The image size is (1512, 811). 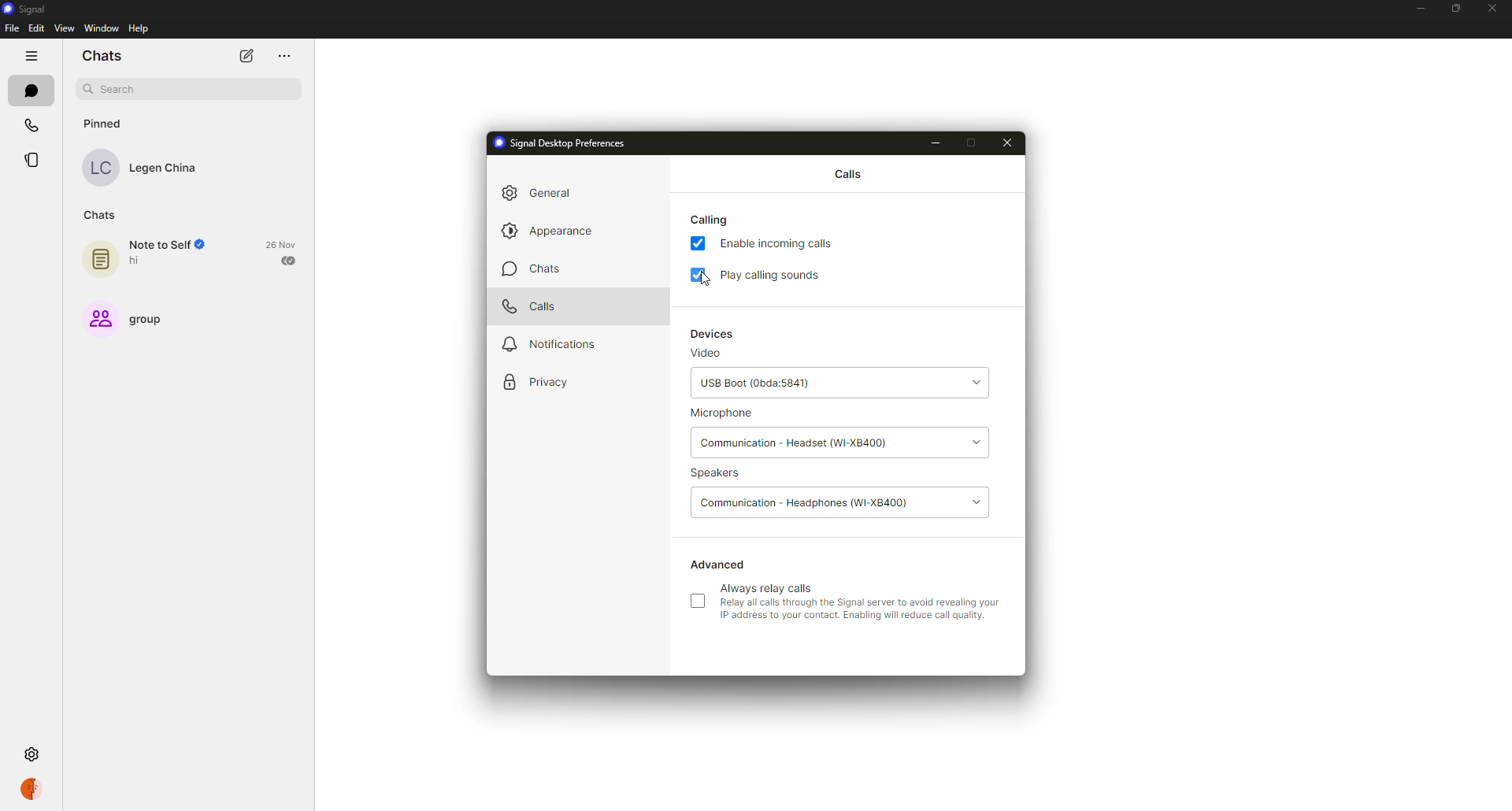 What do you see at coordinates (284, 244) in the screenshot?
I see `26 Nov` at bounding box center [284, 244].